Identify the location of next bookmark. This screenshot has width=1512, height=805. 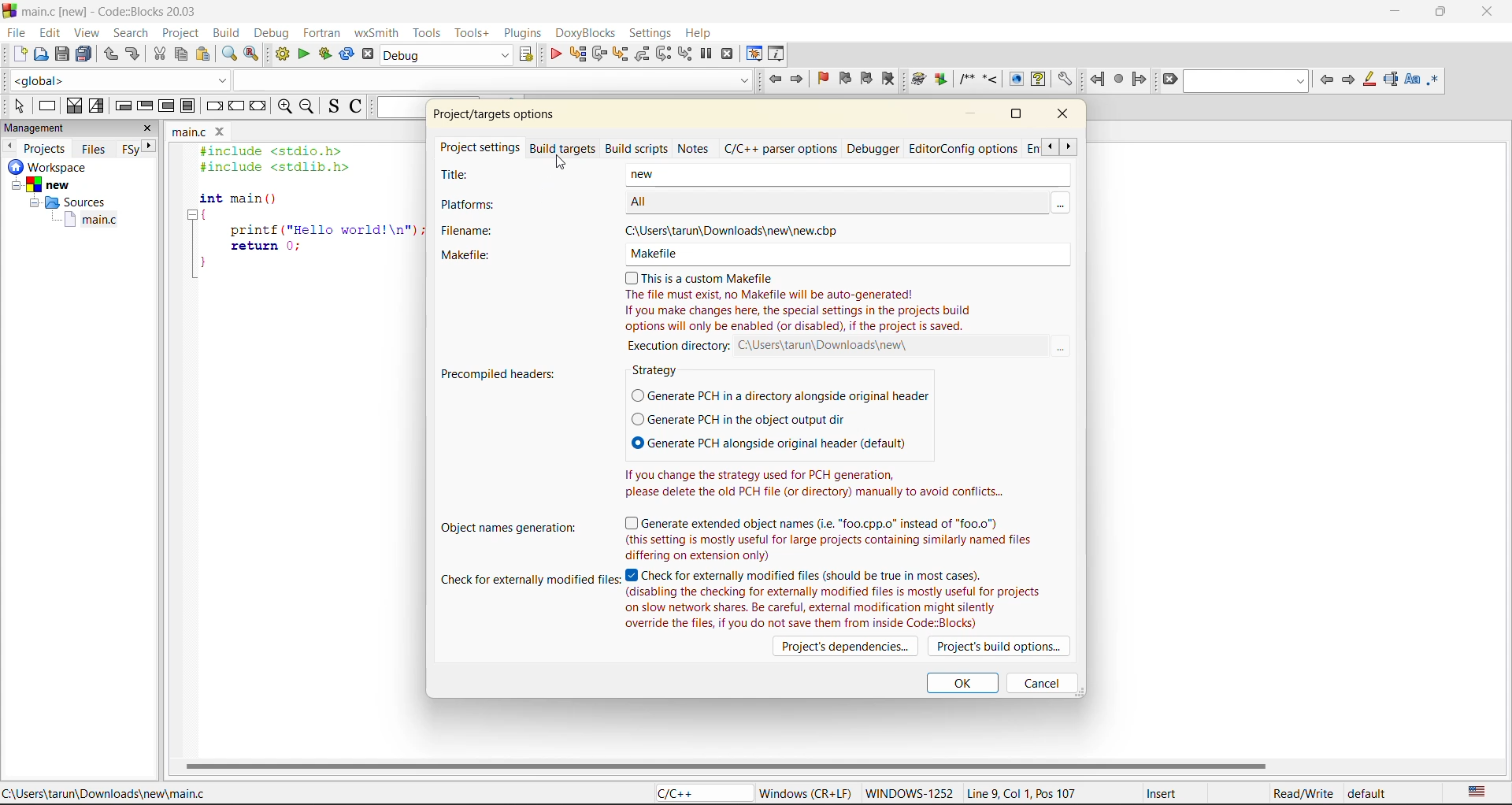
(869, 80).